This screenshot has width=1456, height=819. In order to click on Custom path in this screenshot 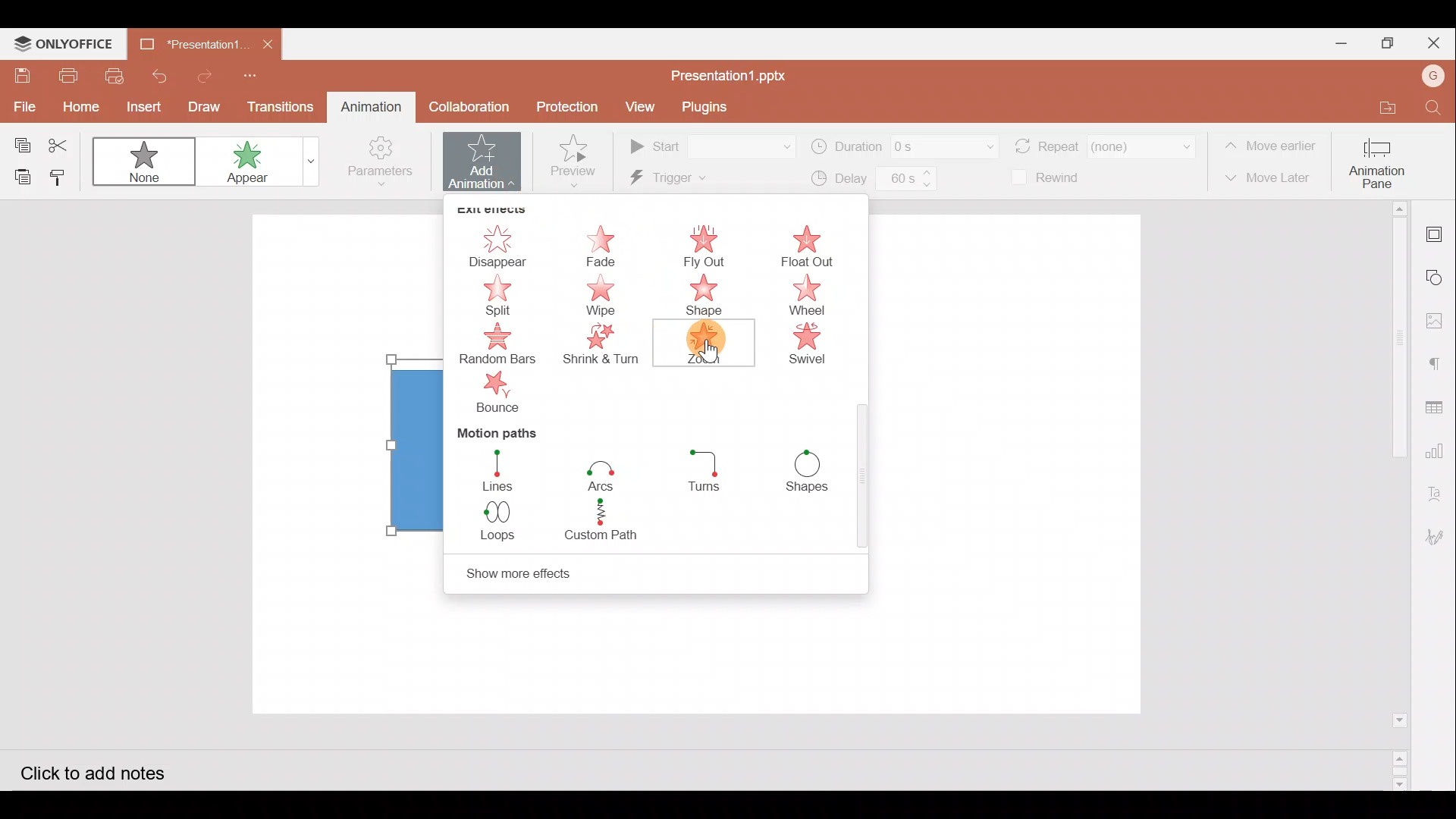, I will do `click(610, 521)`.